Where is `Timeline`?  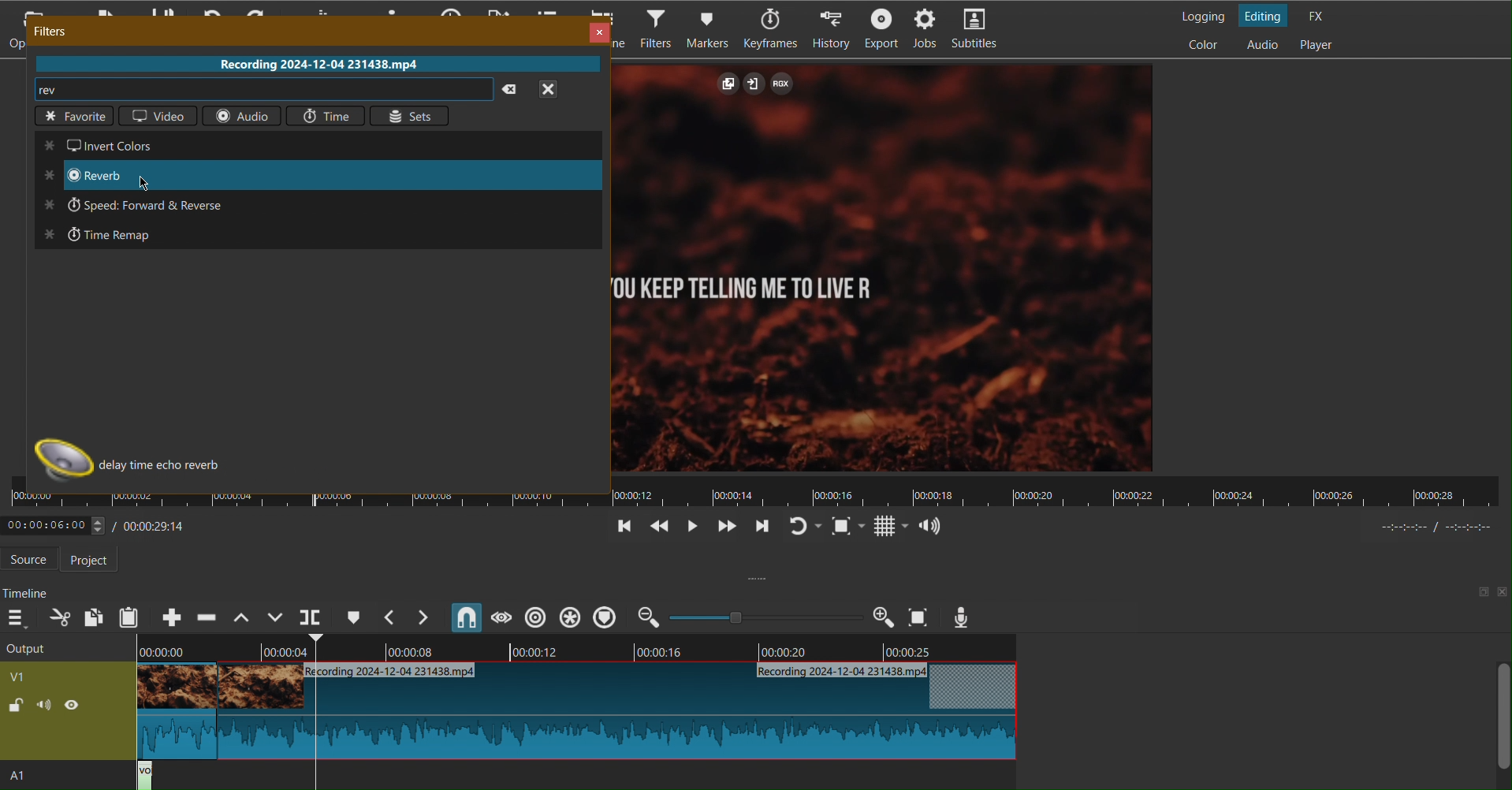 Timeline is located at coordinates (580, 650).